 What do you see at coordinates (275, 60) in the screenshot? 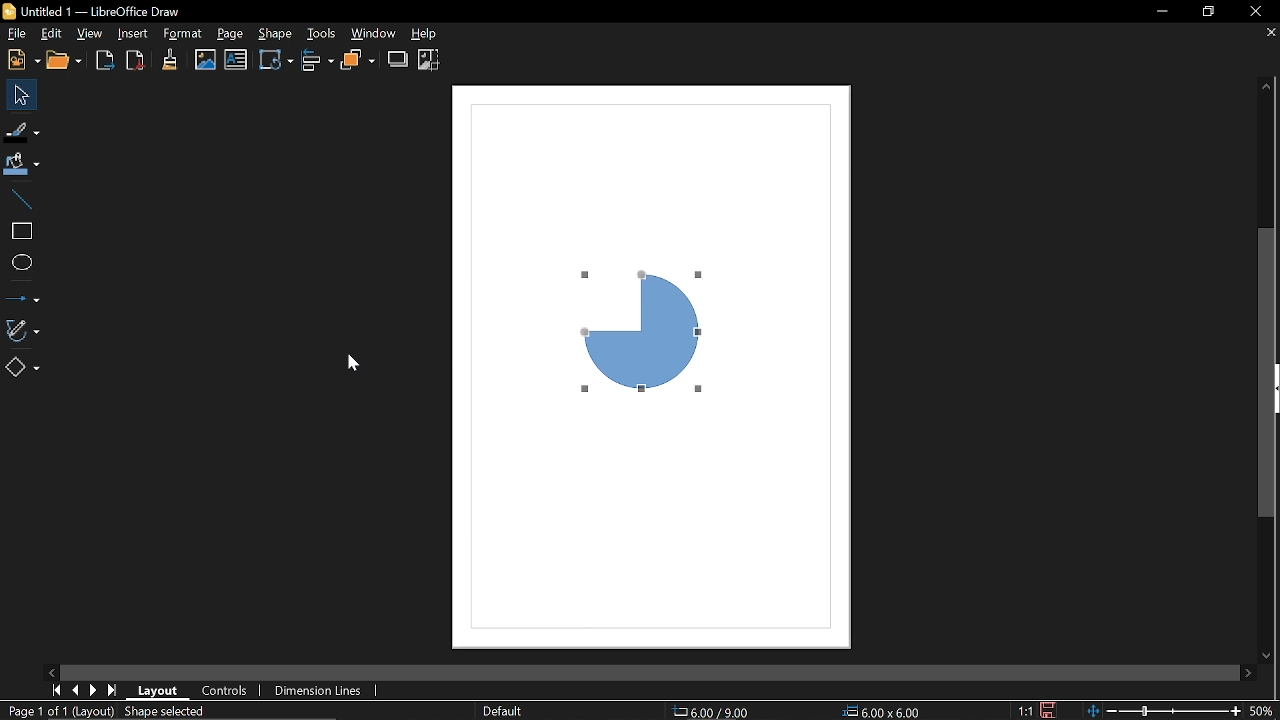
I see `Transformation` at bounding box center [275, 60].